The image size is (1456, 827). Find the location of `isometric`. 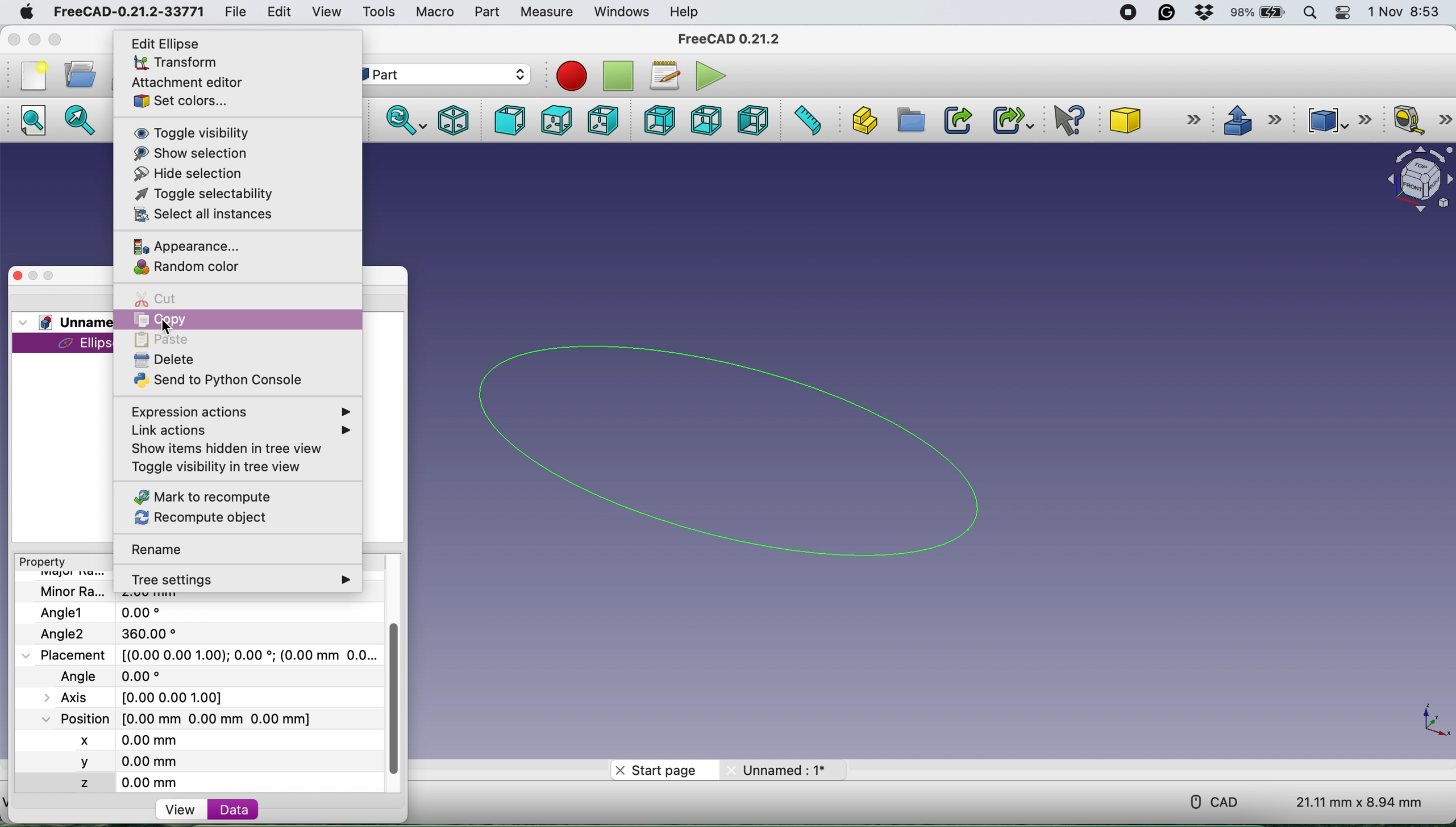

isometric is located at coordinates (454, 119).